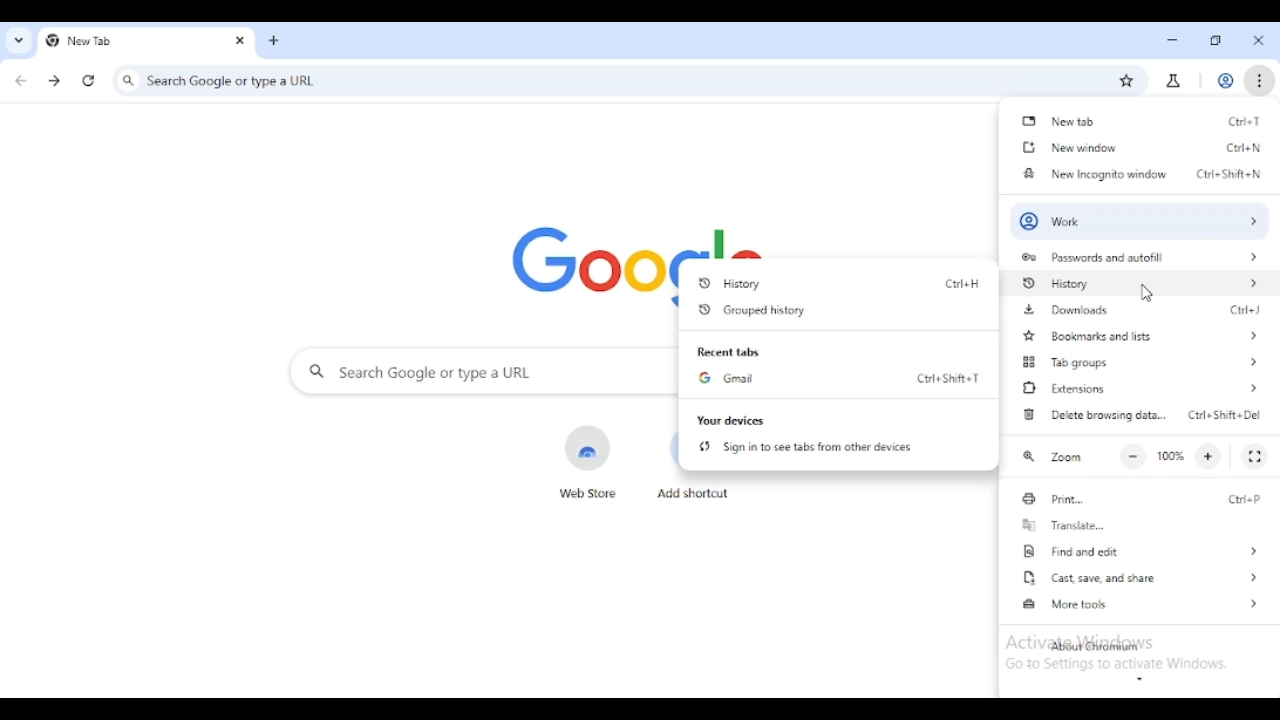 The height and width of the screenshot is (720, 1280). What do you see at coordinates (1059, 499) in the screenshot?
I see `print` at bounding box center [1059, 499].